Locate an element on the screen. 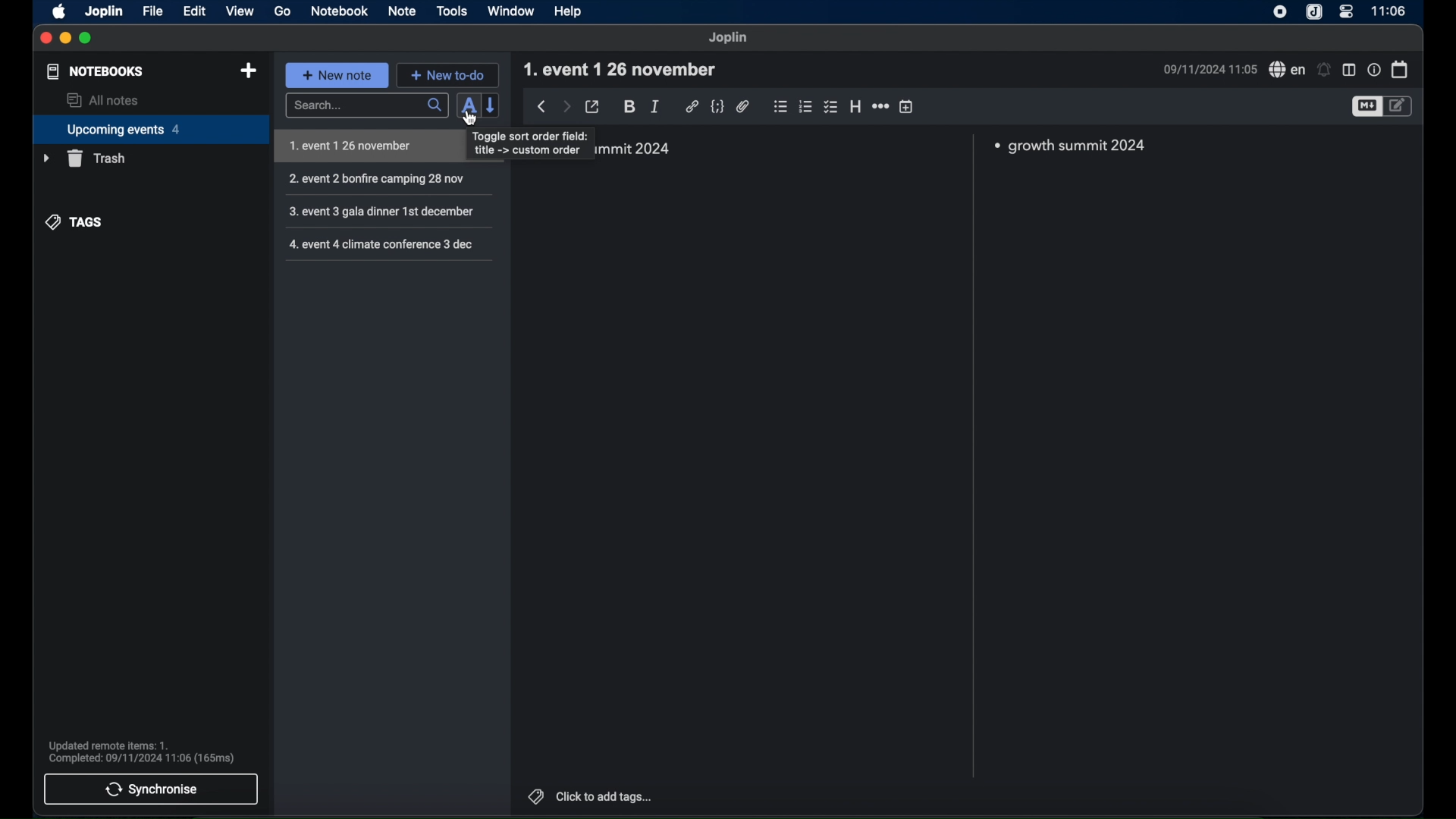 This screenshot has width=1456, height=819. horizontal rule is located at coordinates (880, 106).